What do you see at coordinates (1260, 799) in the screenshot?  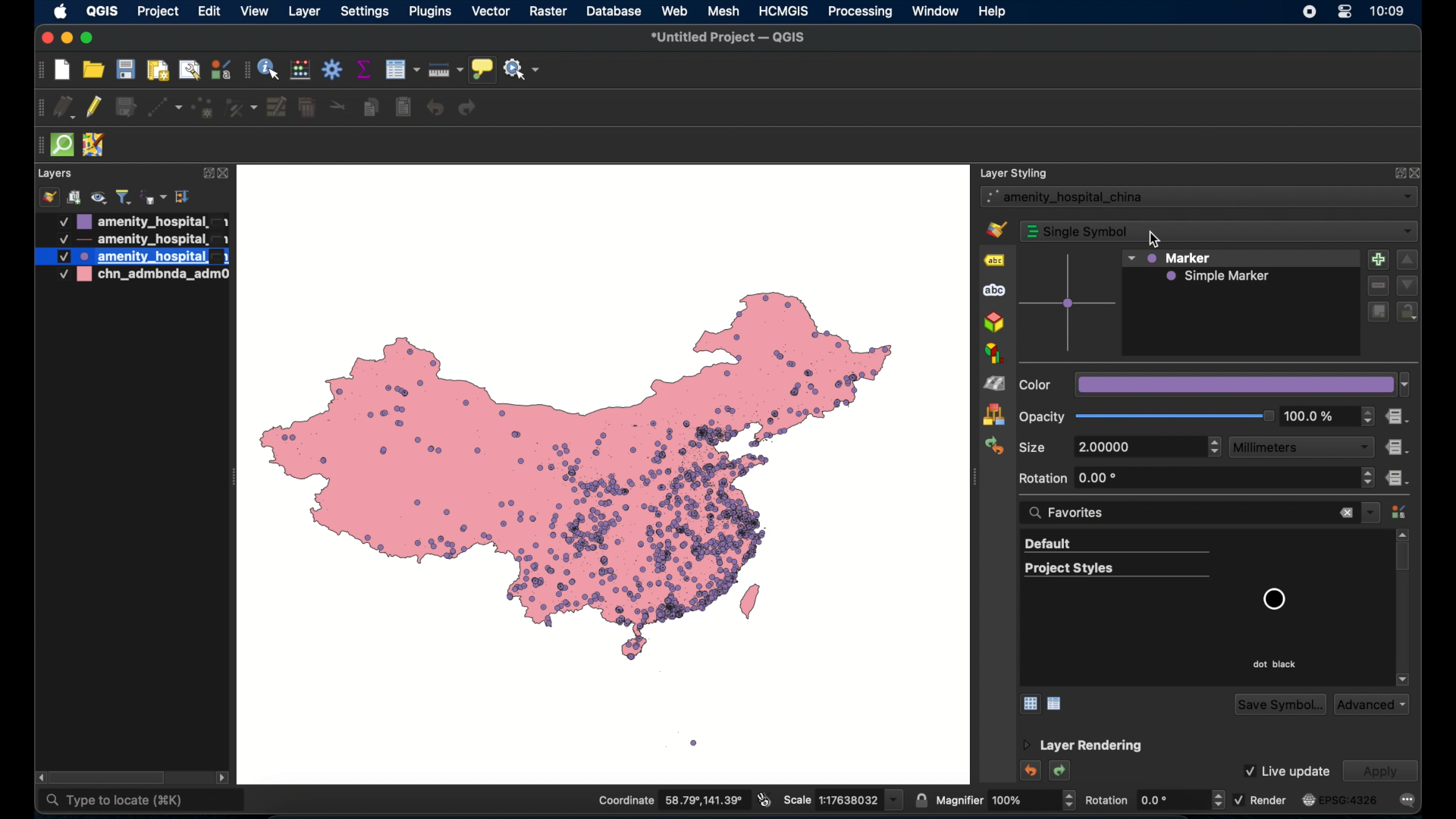 I see `render` at bounding box center [1260, 799].